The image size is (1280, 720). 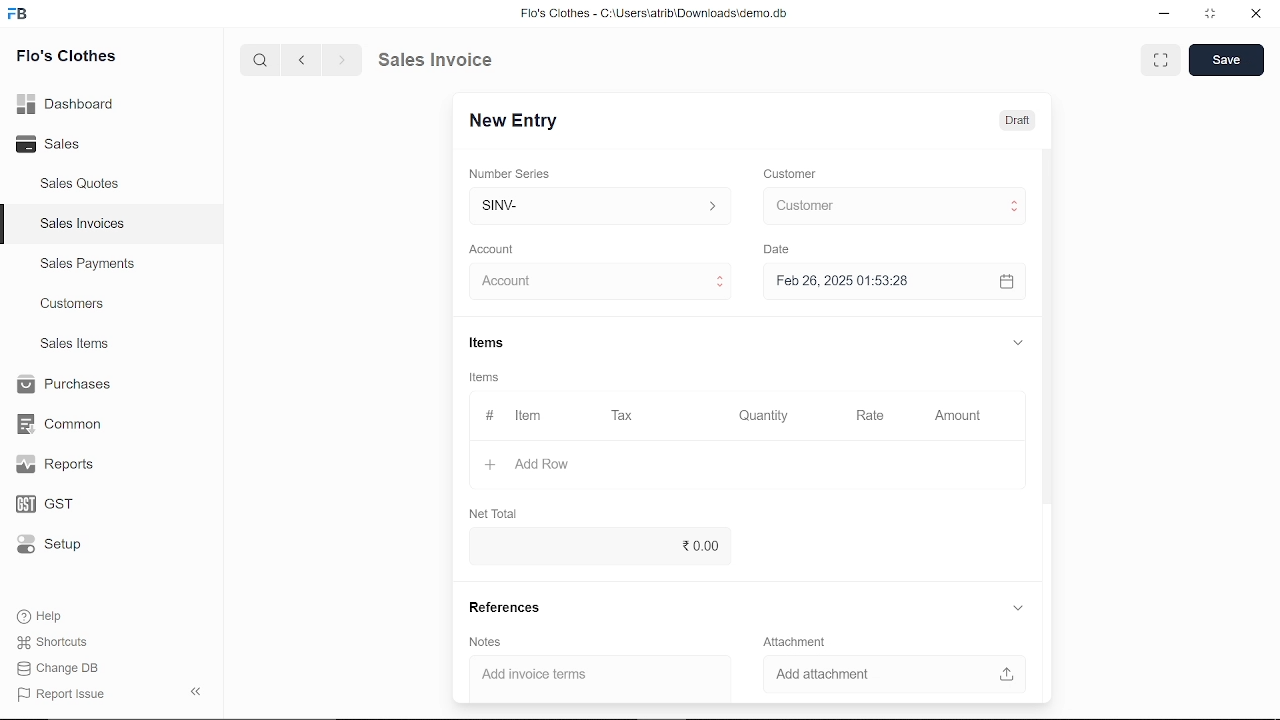 I want to click on Setup, so click(x=63, y=546).